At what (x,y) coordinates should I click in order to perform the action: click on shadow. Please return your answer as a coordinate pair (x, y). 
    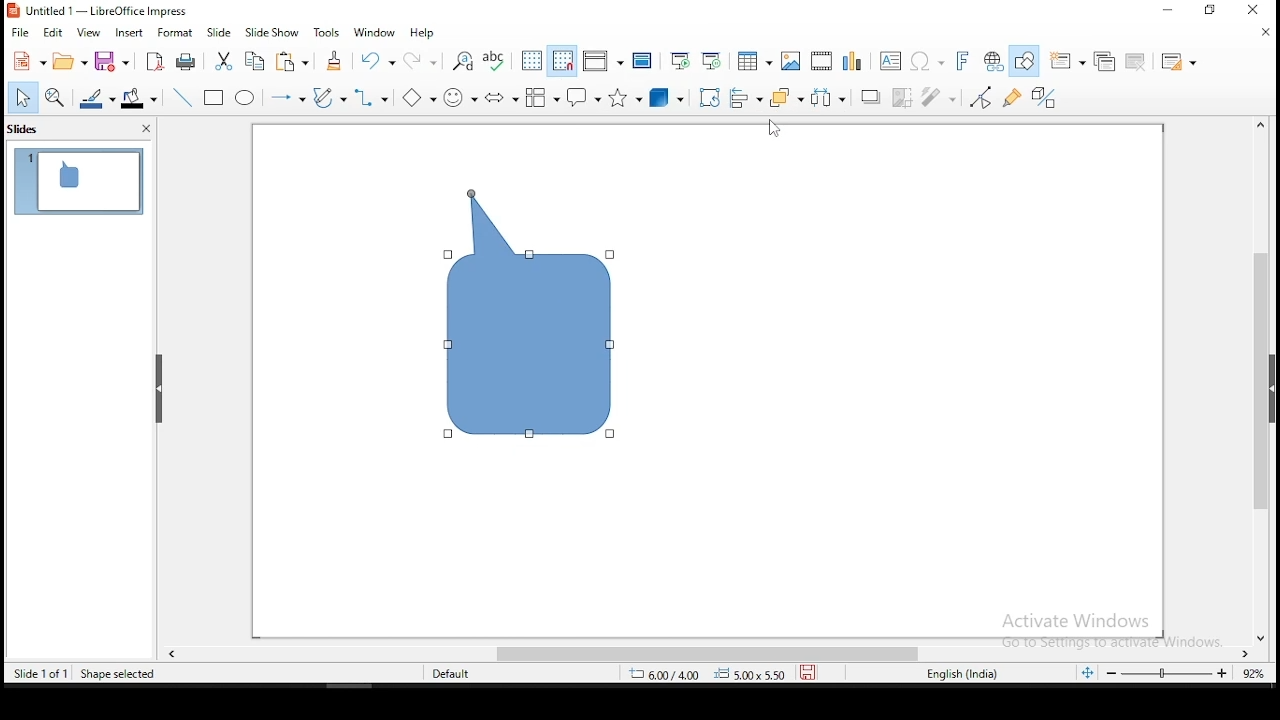
    Looking at the image, I should click on (867, 97).